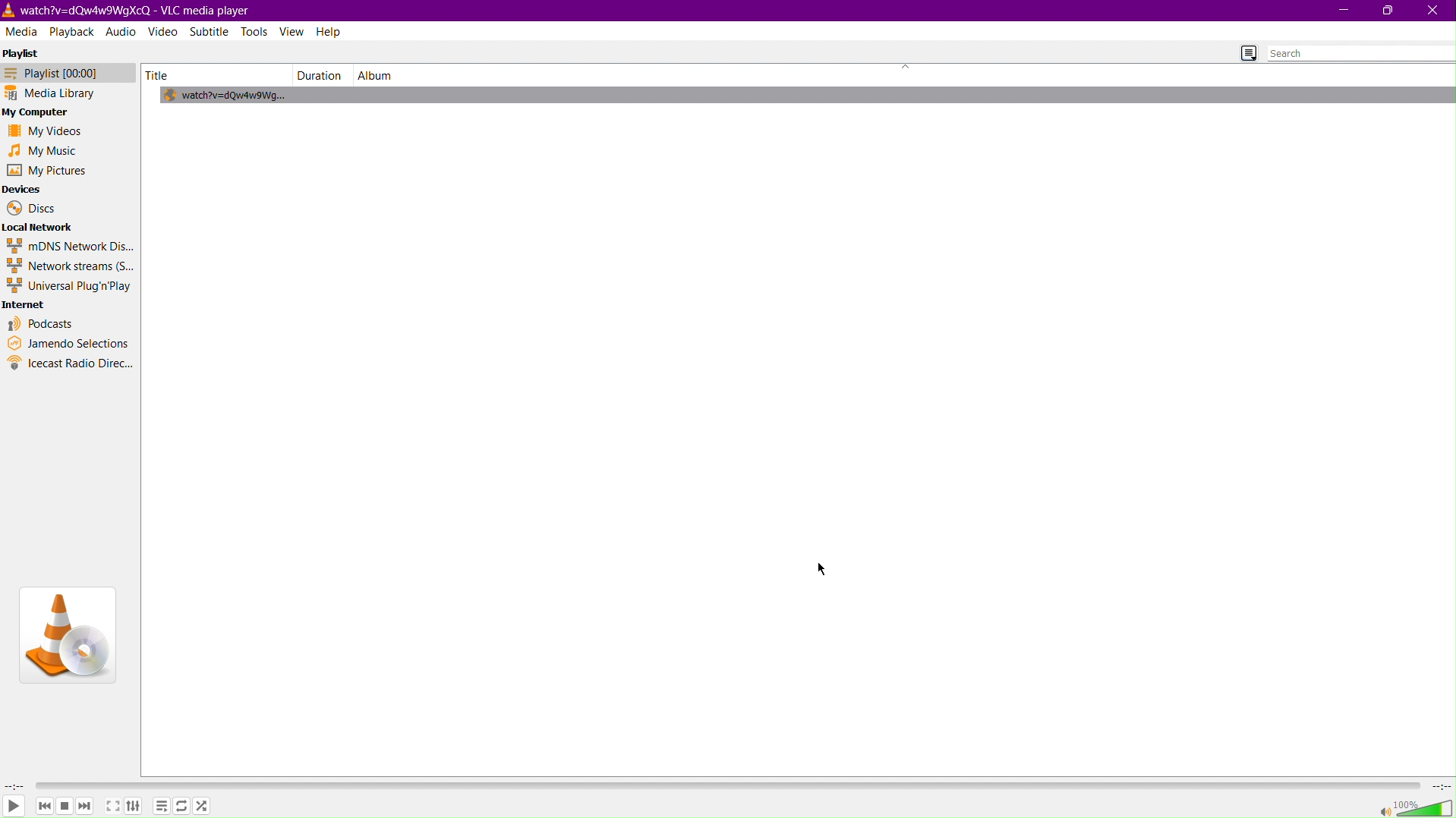 Image resolution: width=1456 pixels, height=818 pixels. I want to click on Tools, so click(255, 31).